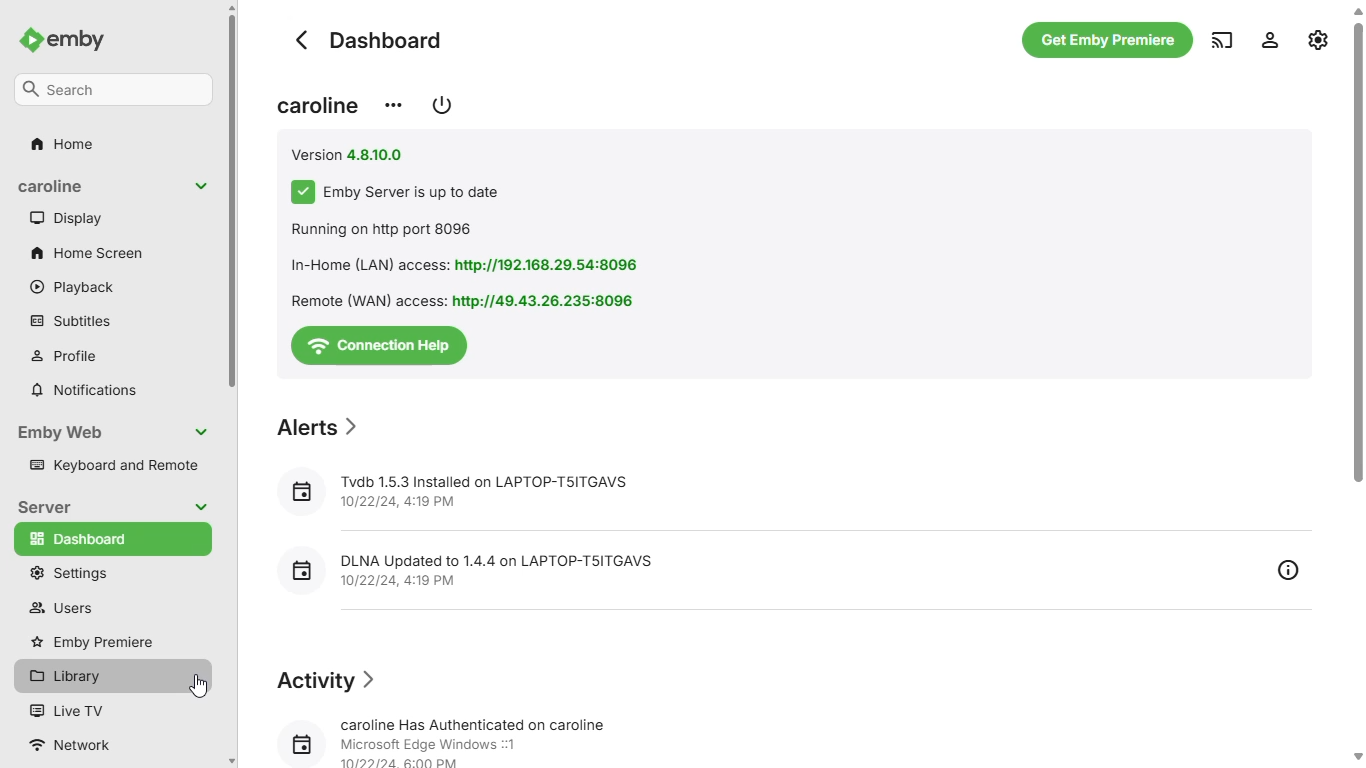 This screenshot has height=768, width=1366. I want to click on emby web, so click(60, 432).